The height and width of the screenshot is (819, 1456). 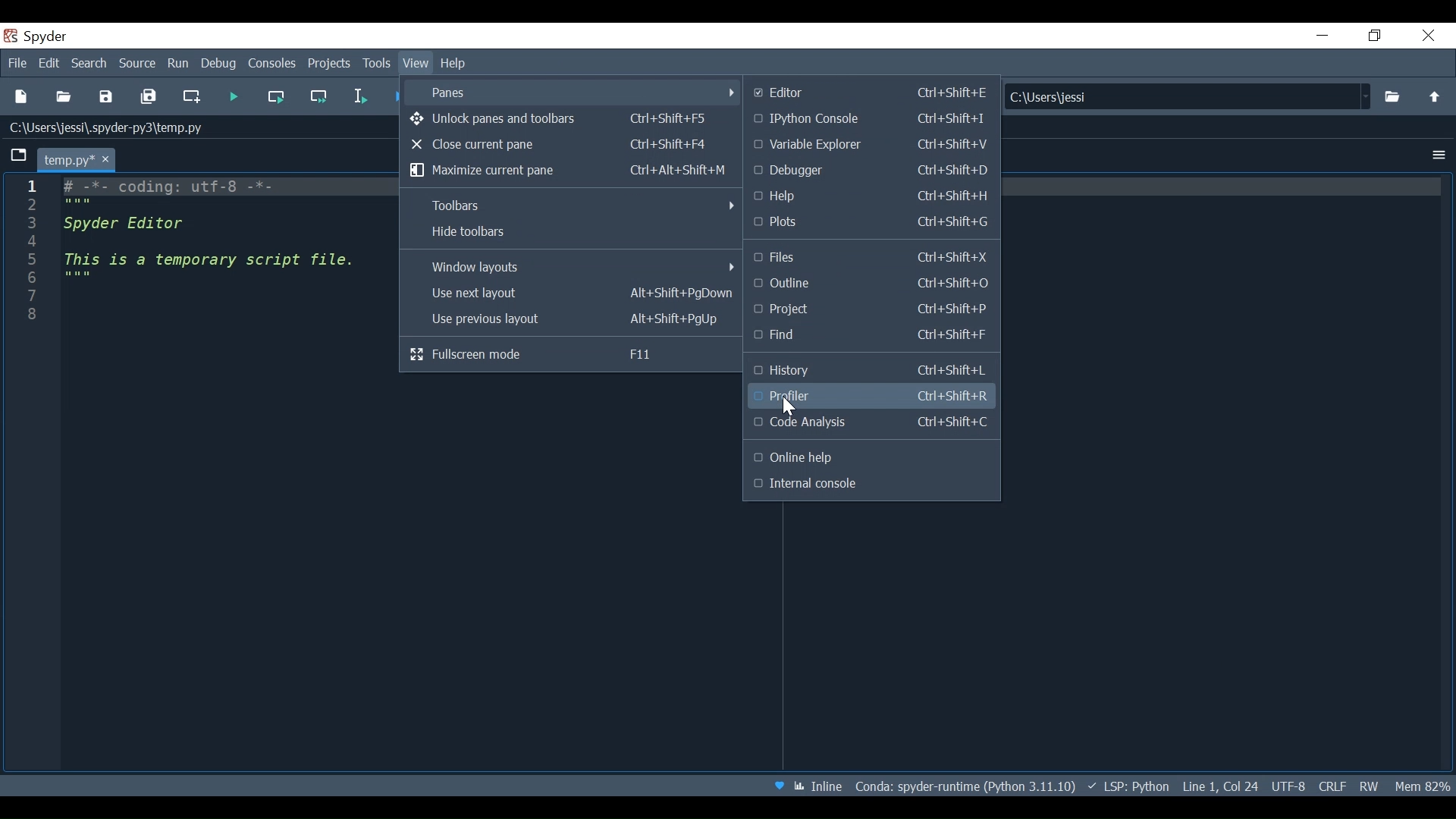 I want to click on Run selection or current line, so click(x=359, y=96).